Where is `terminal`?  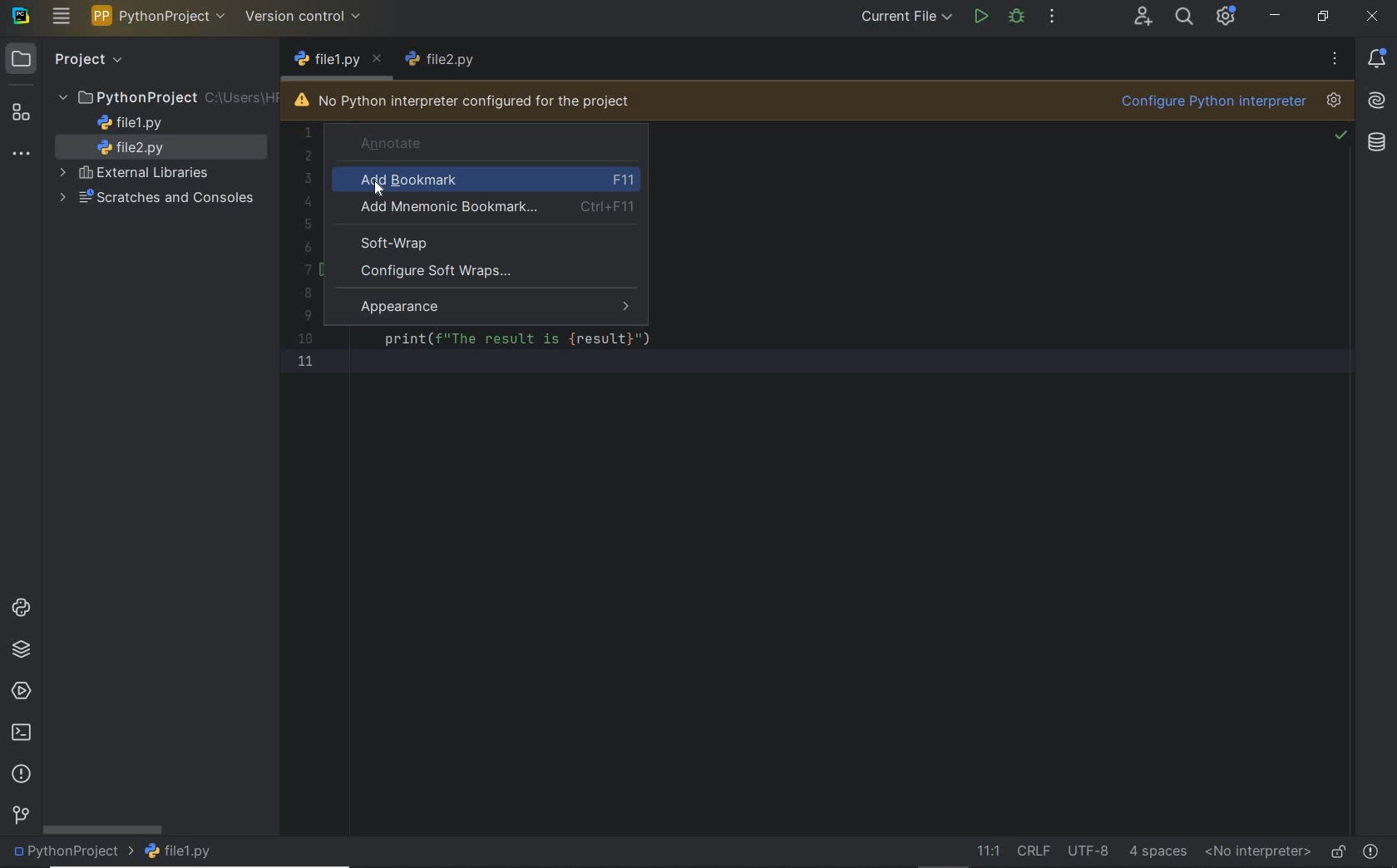 terminal is located at coordinates (20, 734).